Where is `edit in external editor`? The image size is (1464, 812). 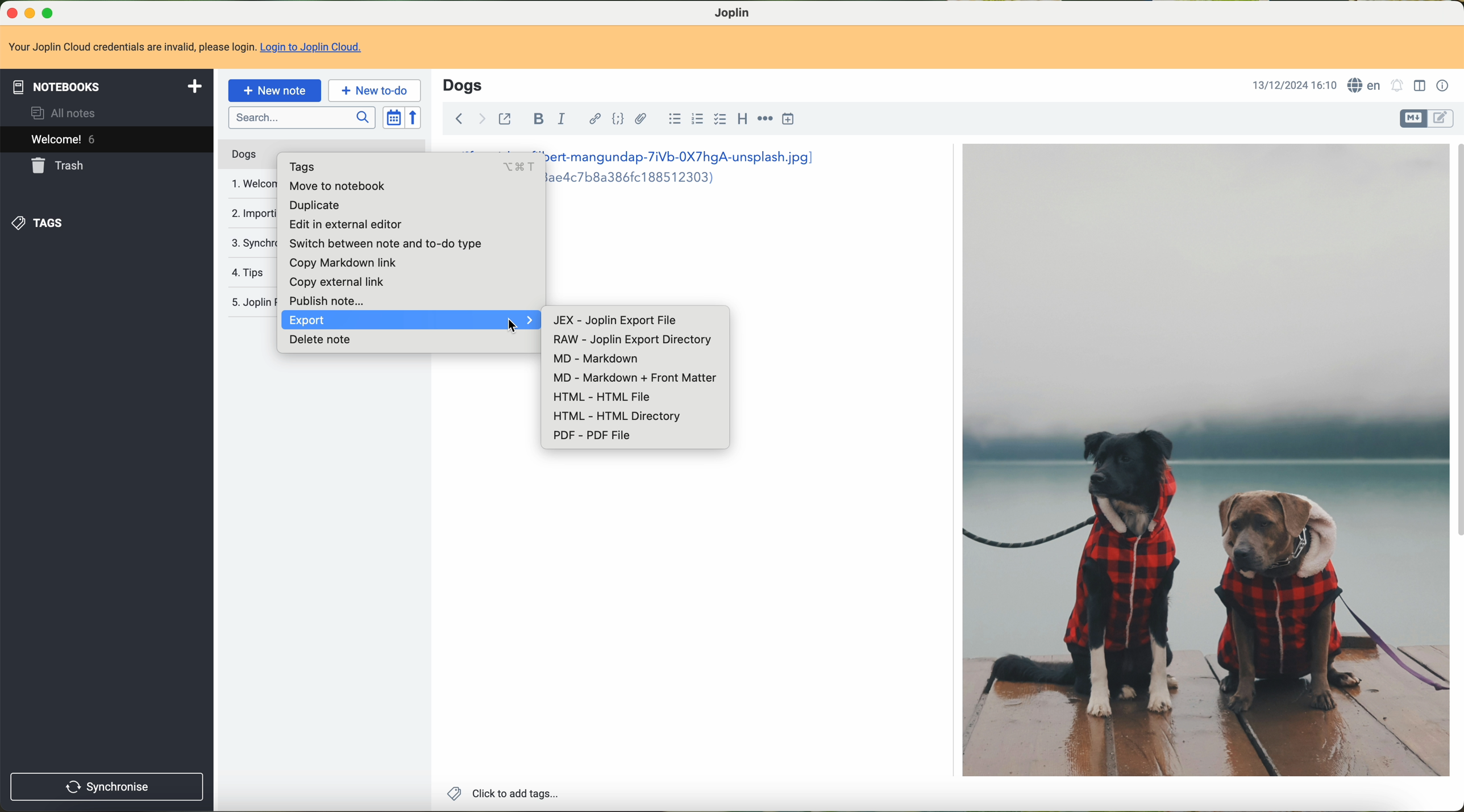 edit in external editor is located at coordinates (350, 226).